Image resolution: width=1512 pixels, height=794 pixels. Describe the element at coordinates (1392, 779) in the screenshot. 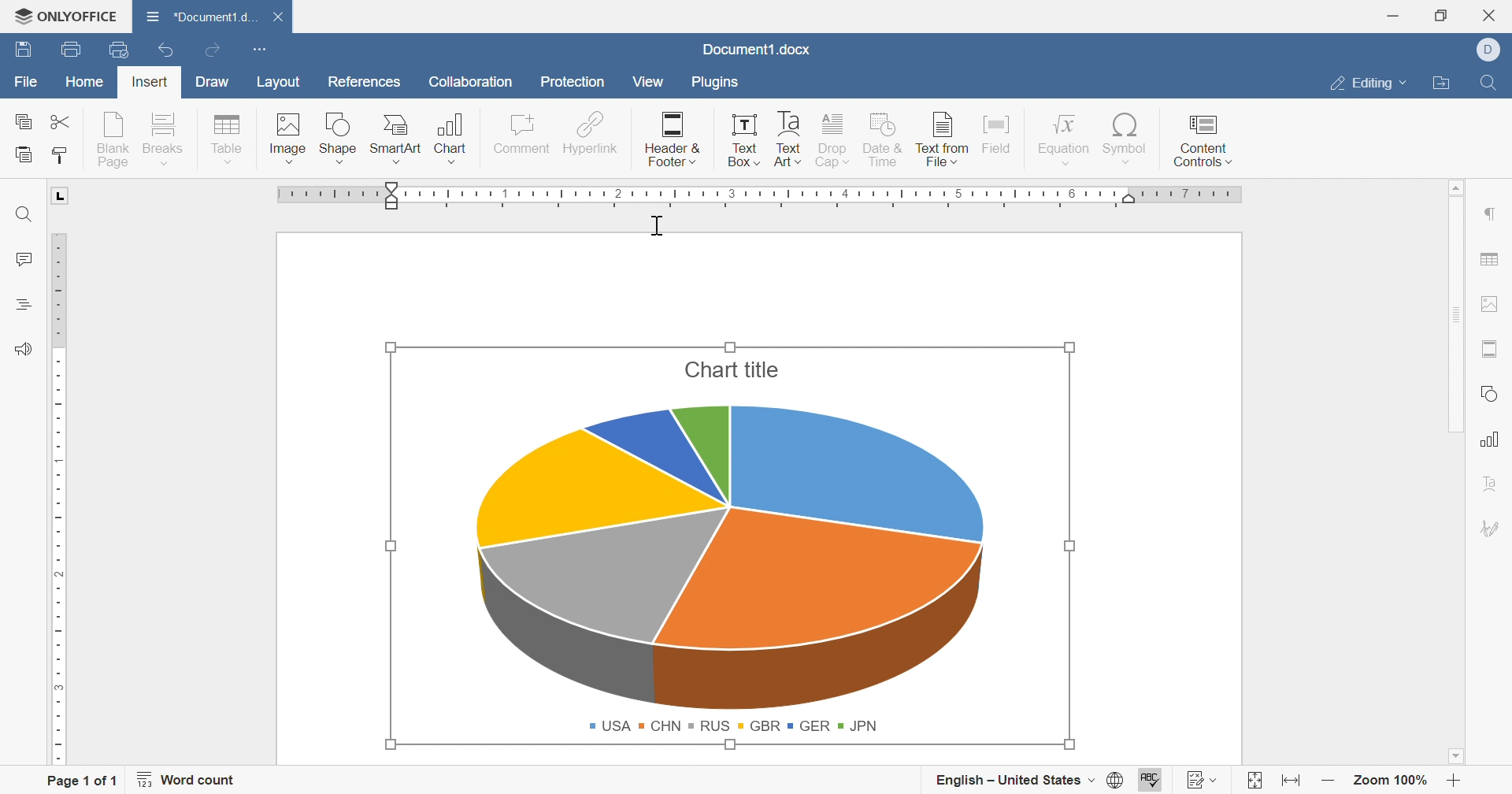

I see `Zoom 100%` at that location.